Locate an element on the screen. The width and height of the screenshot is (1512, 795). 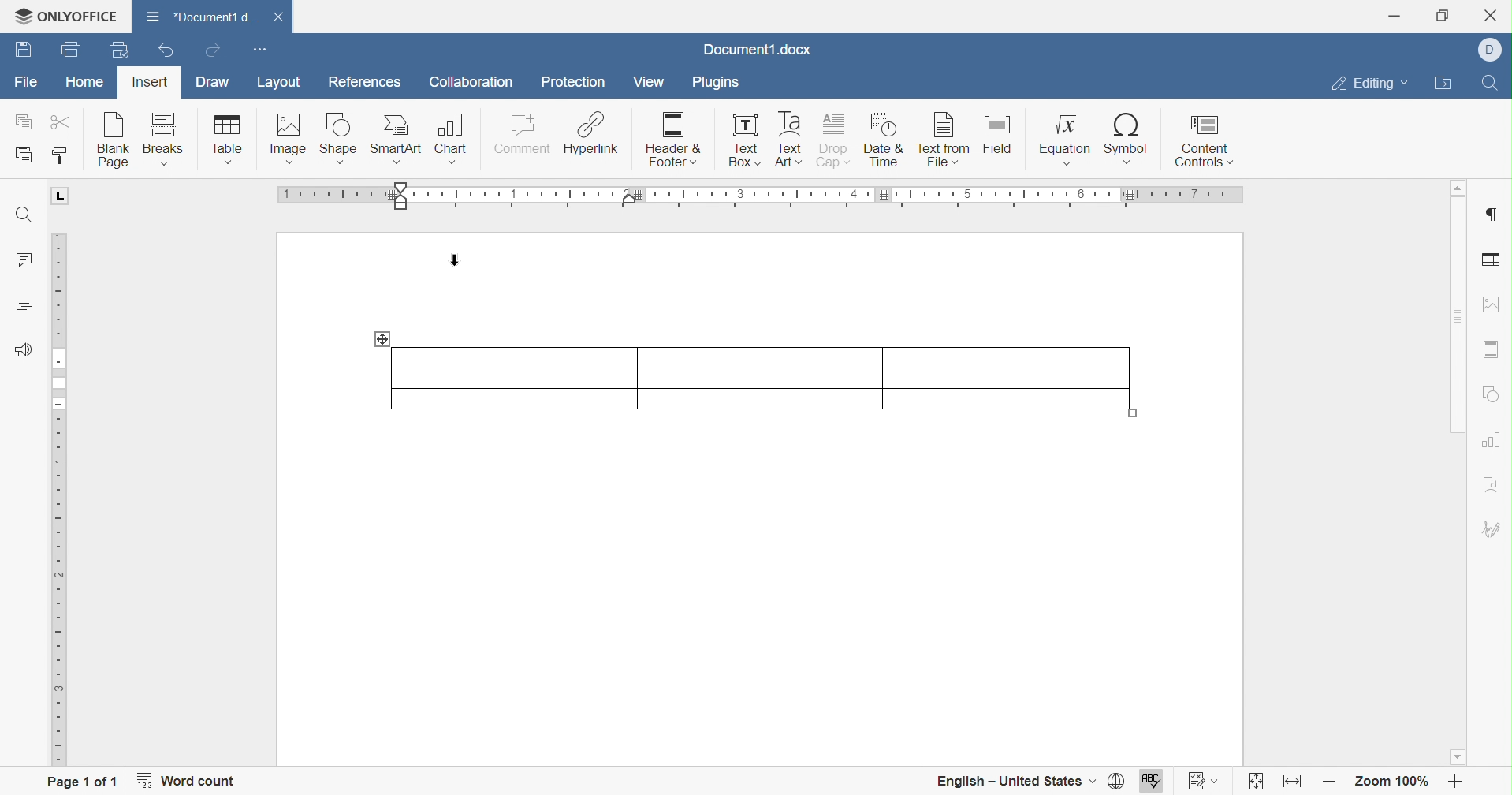
Insert shape is located at coordinates (344, 139).